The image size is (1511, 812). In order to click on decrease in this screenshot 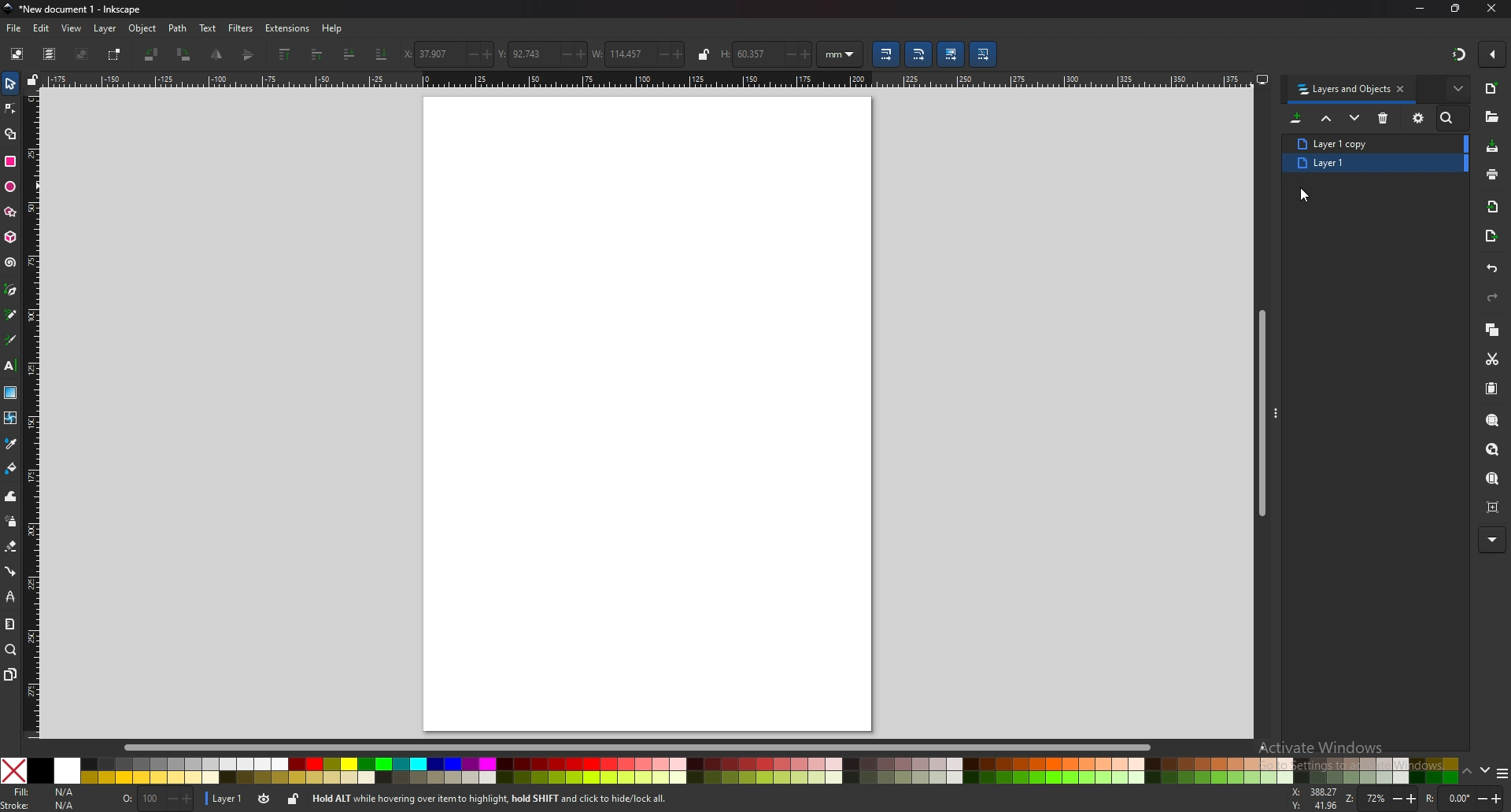, I will do `click(660, 54)`.